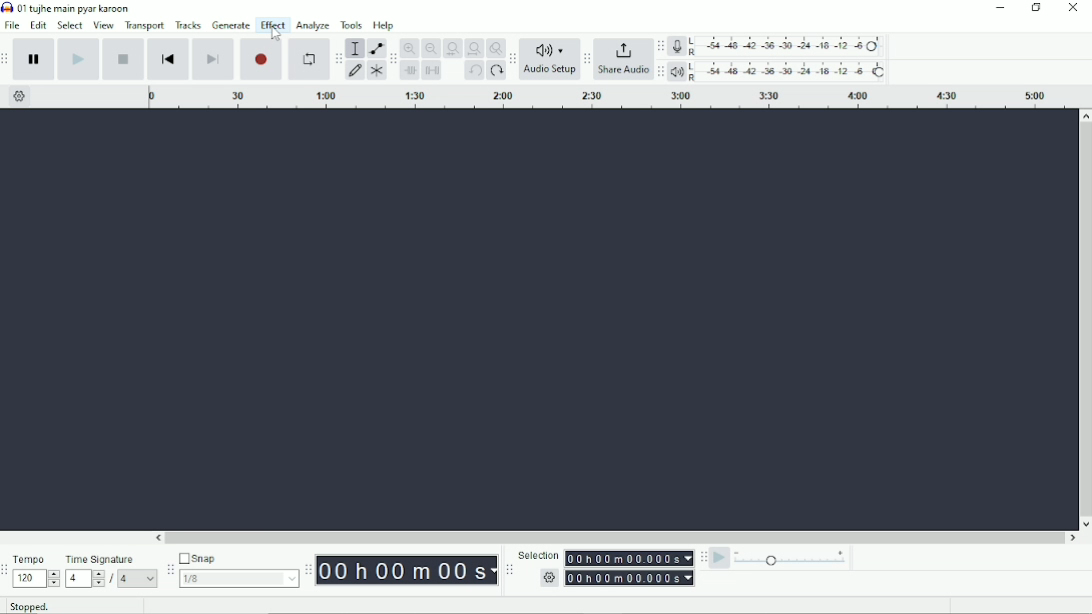 This screenshot has height=614, width=1092. What do you see at coordinates (169, 571) in the screenshot?
I see `Audacity snapping toolbar` at bounding box center [169, 571].